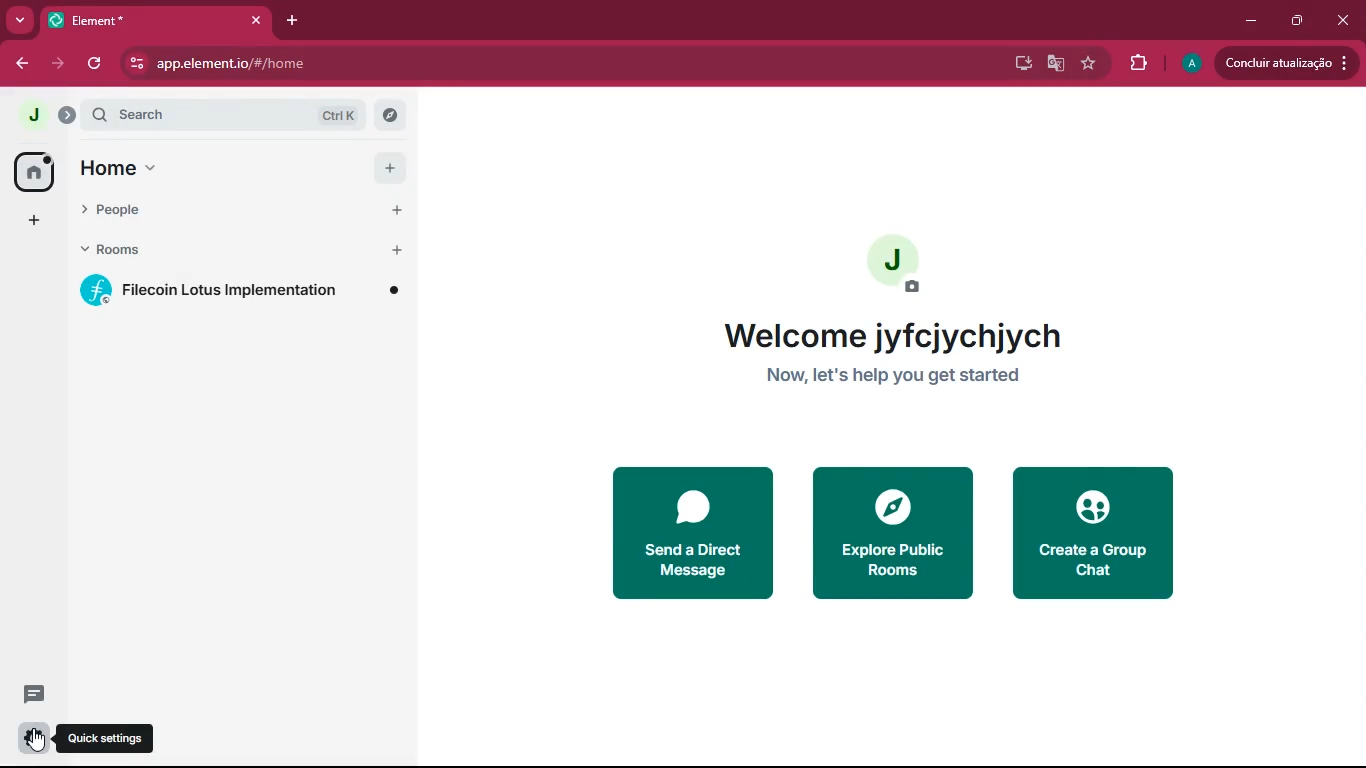  I want to click on Welcome jyfcjychjych, so click(895, 335).